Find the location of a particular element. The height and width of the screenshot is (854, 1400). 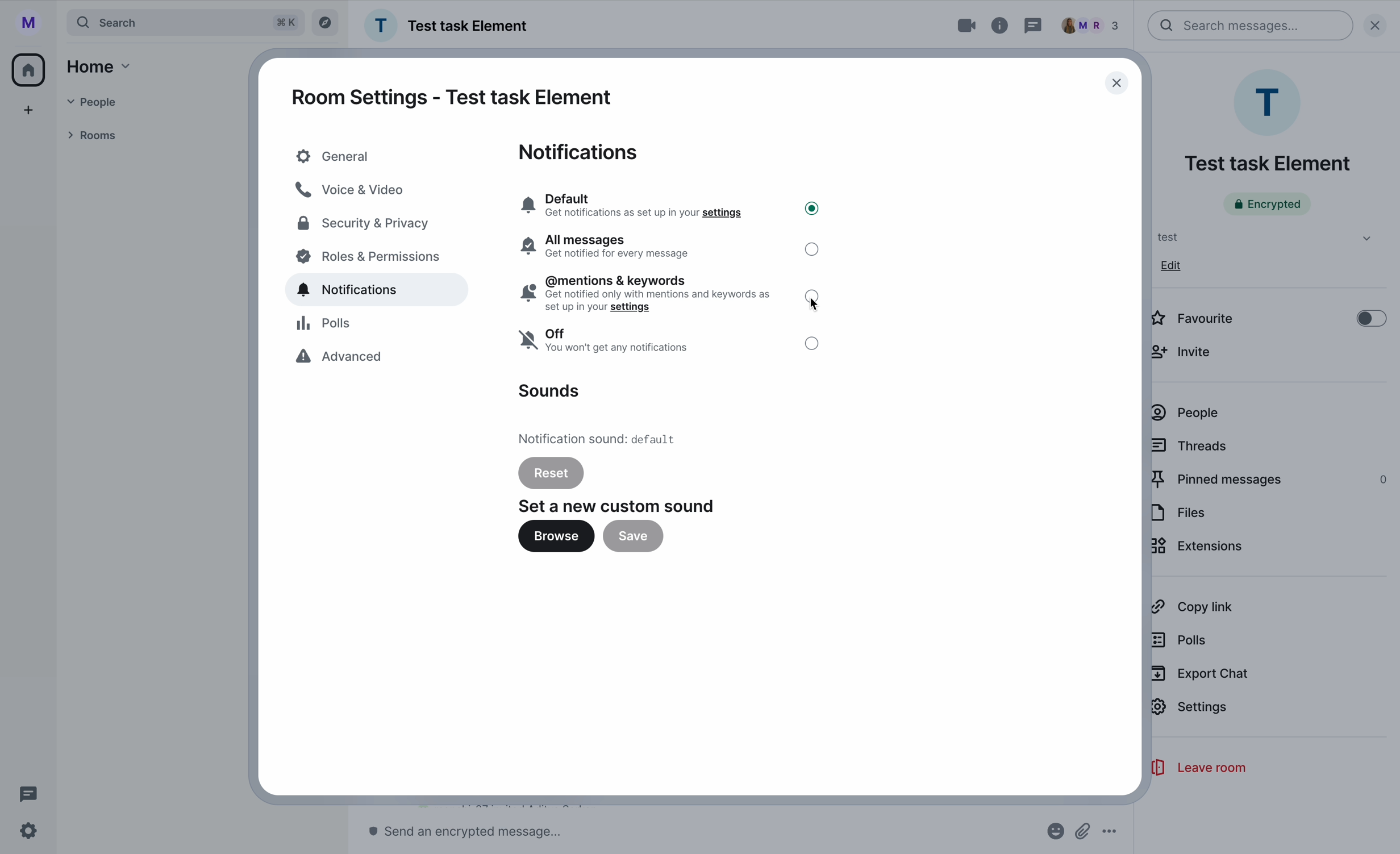

search bar is located at coordinates (1251, 26).